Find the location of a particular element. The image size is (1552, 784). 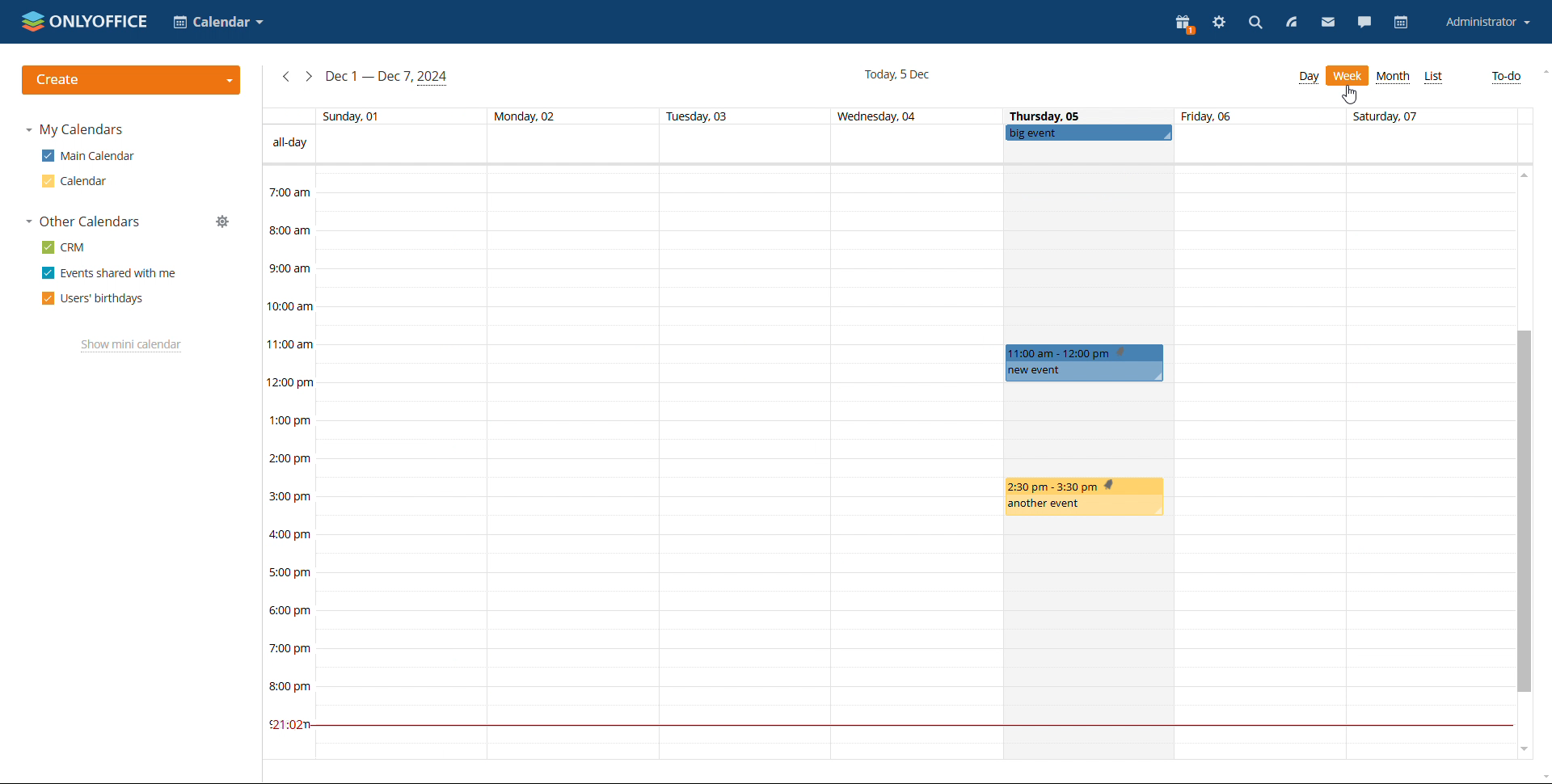

main calendar is located at coordinates (87, 156).